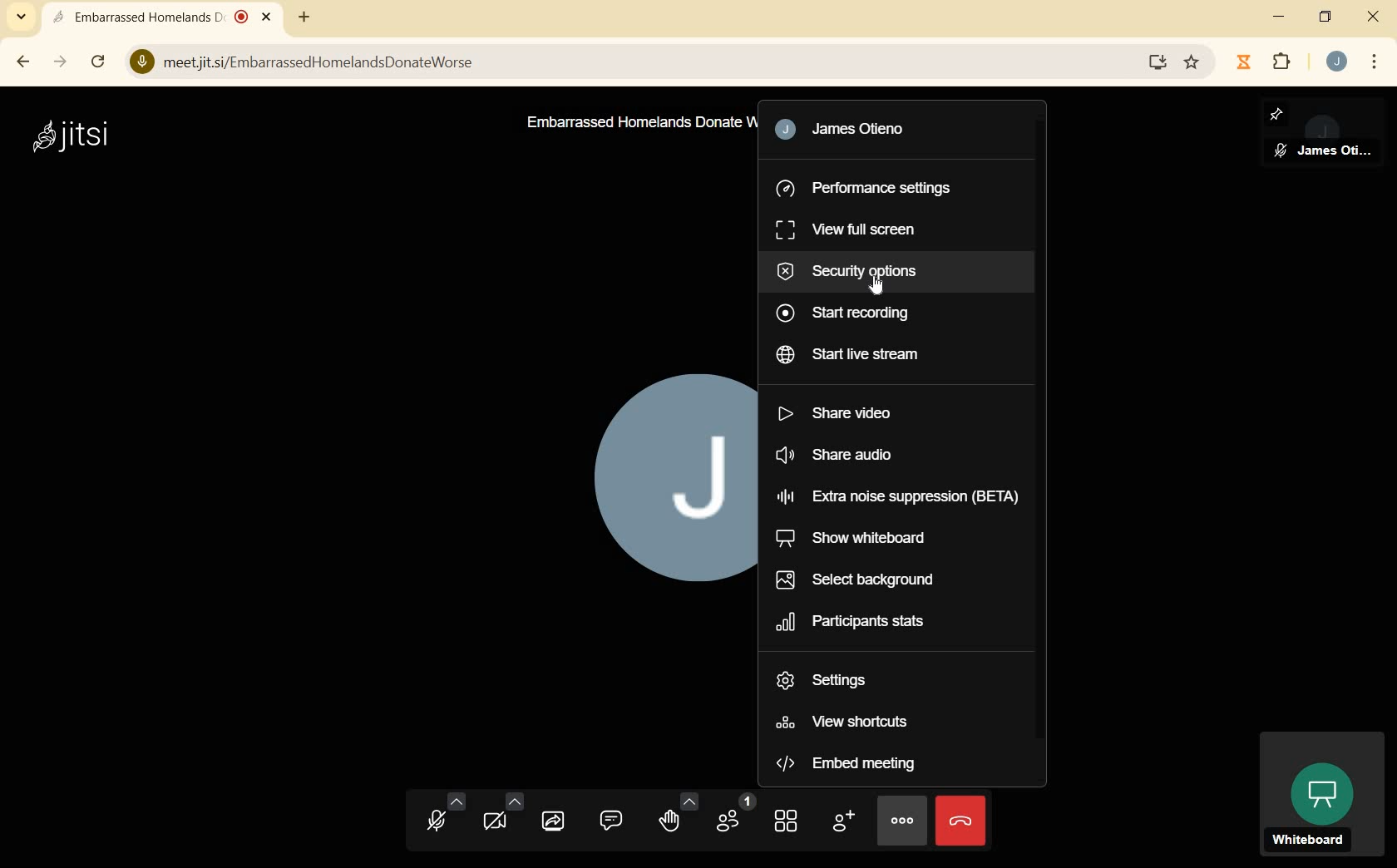  What do you see at coordinates (100, 63) in the screenshot?
I see `scrollbar` at bounding box center [100, 63].